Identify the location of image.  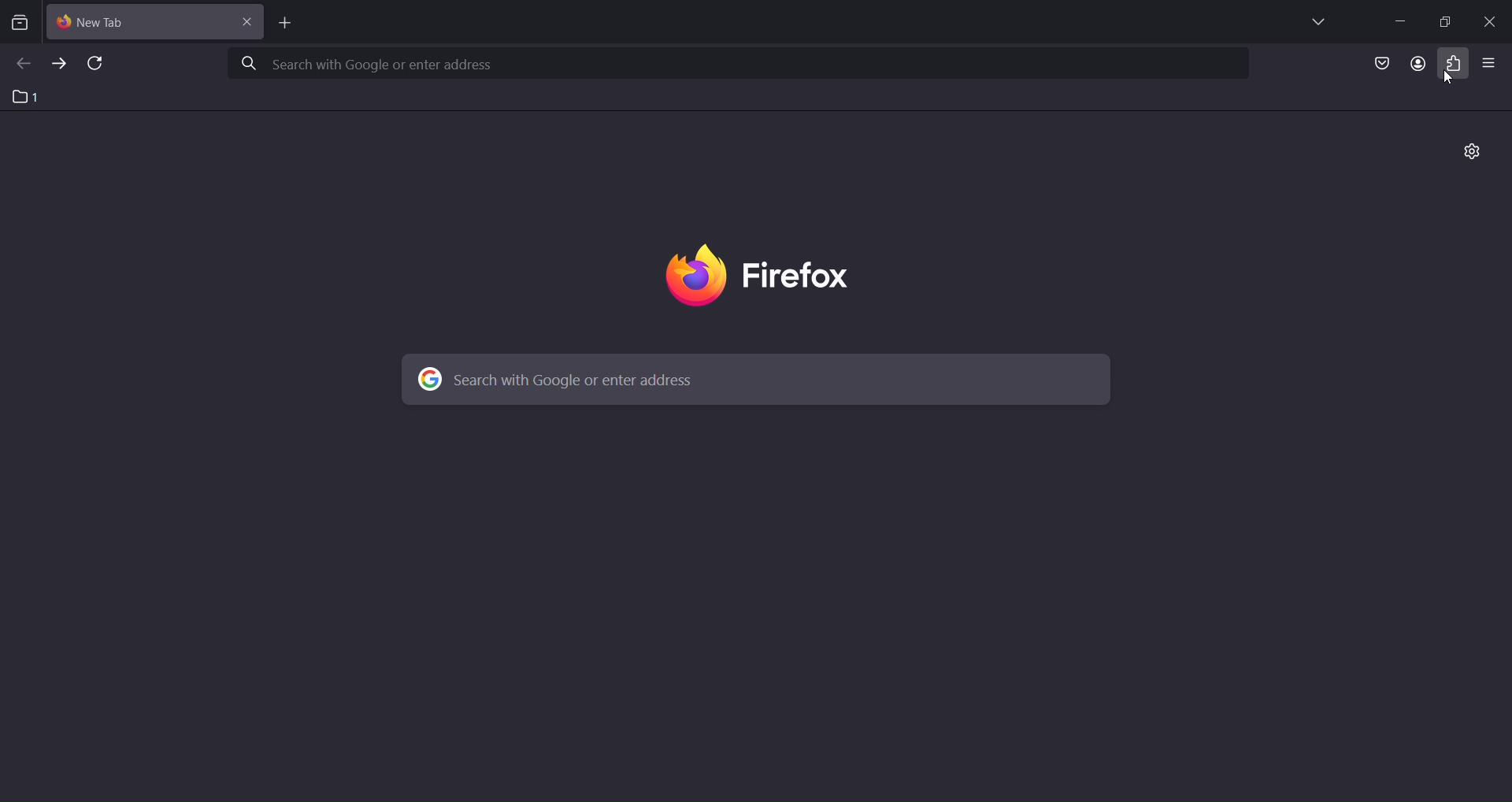
(751, 276).